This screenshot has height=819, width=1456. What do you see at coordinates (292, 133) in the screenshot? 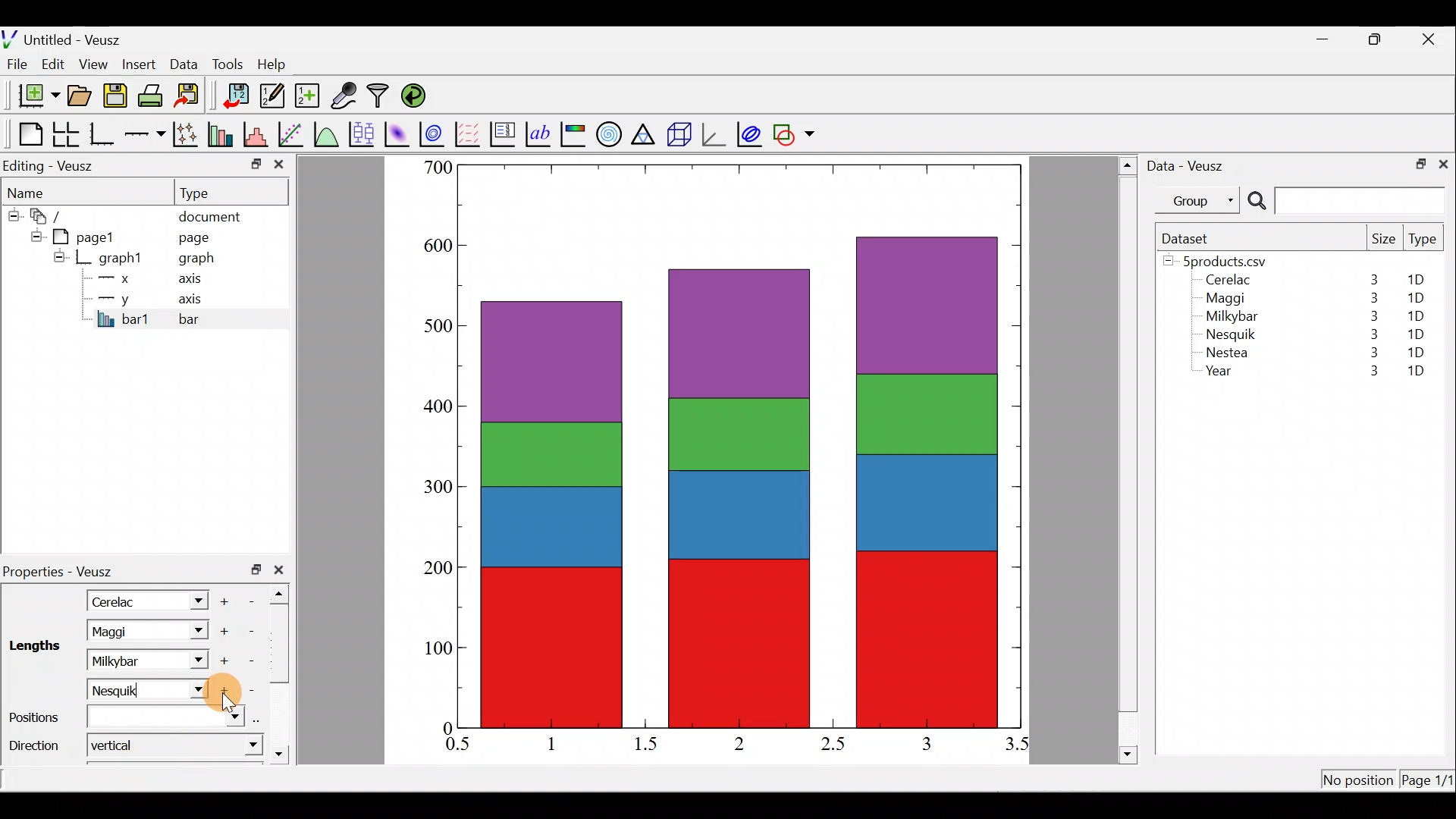
I see `Fit a function to data` at bounding box center [292, 133].